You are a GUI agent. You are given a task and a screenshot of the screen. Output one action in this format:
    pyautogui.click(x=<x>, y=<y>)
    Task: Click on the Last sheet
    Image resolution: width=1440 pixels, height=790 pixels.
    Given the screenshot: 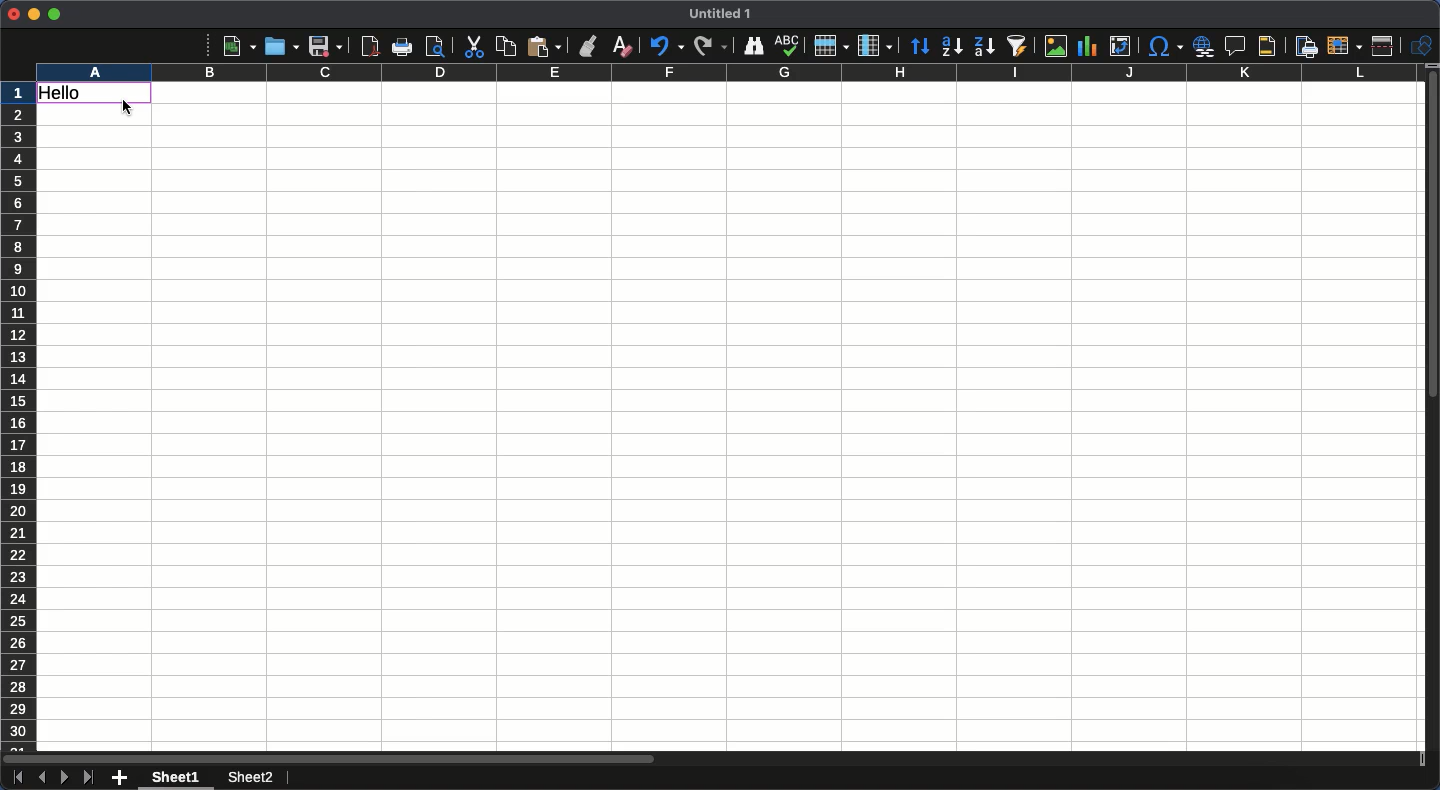 What is the action you would take?
    pyautogui.click(x=88, y=777)
    